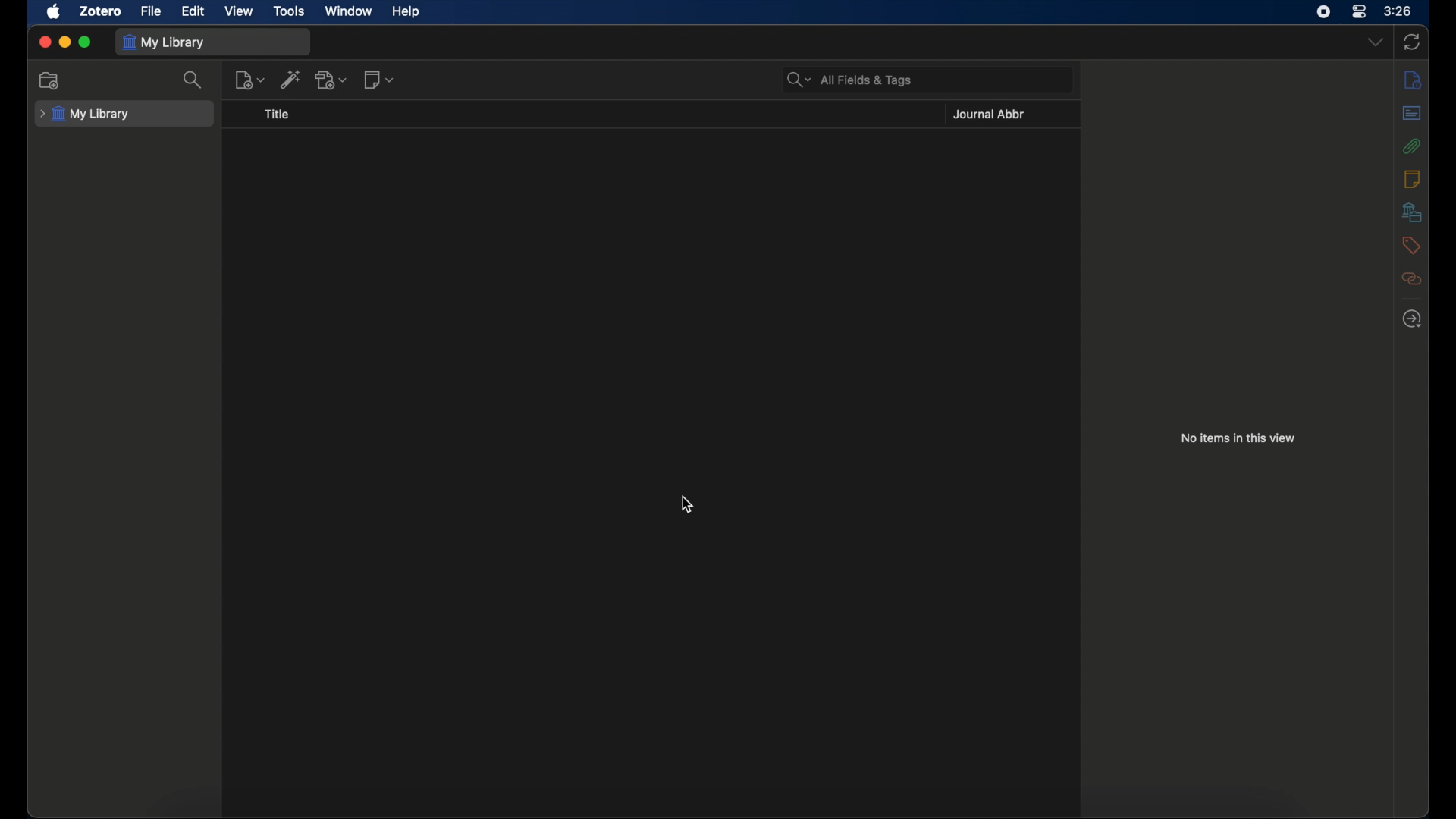  Describe the element at coordinates (1238, 437) in the screenshot. I see `no items in this view` at that location.